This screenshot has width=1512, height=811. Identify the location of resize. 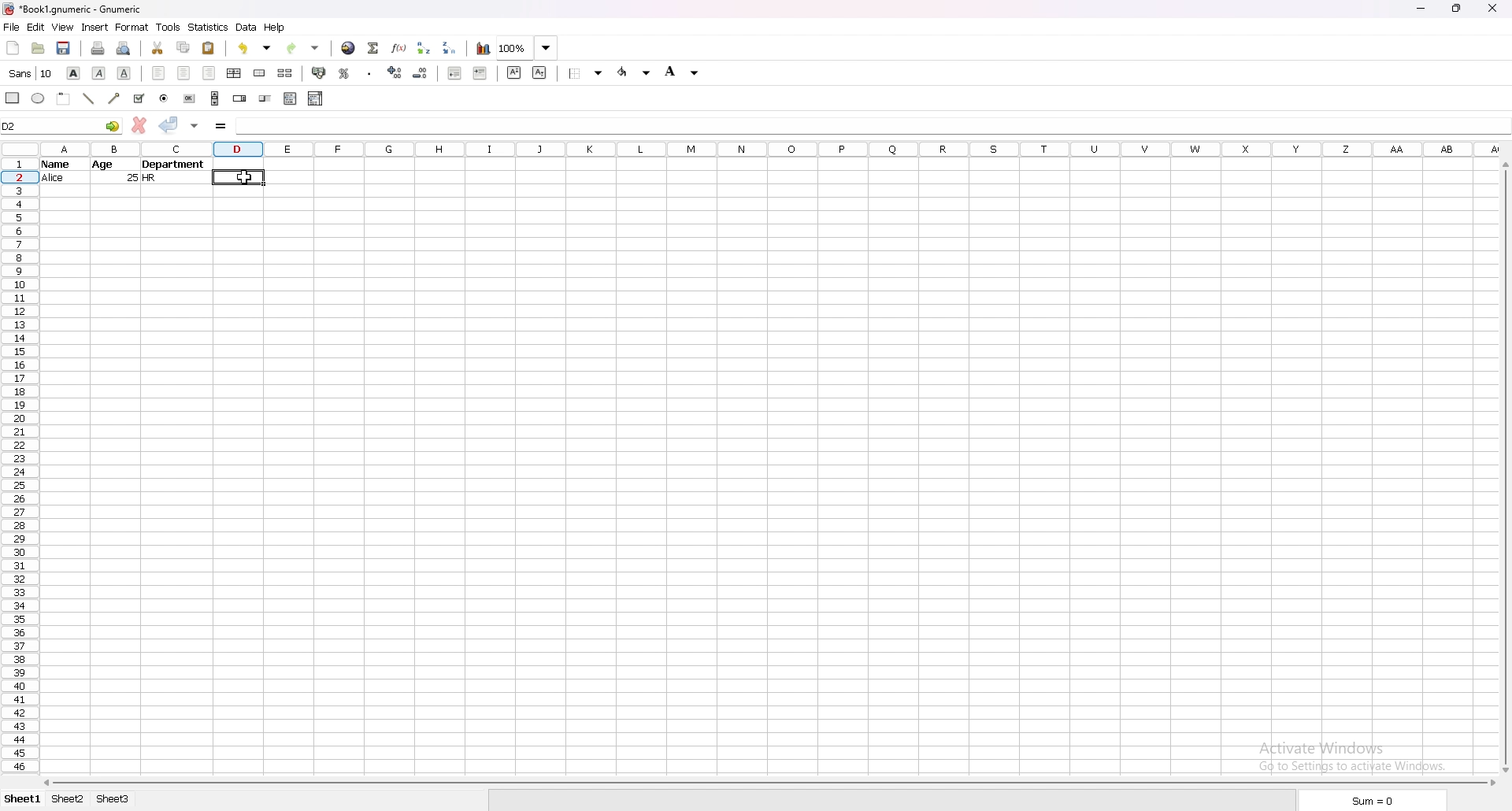
(1455, 9).